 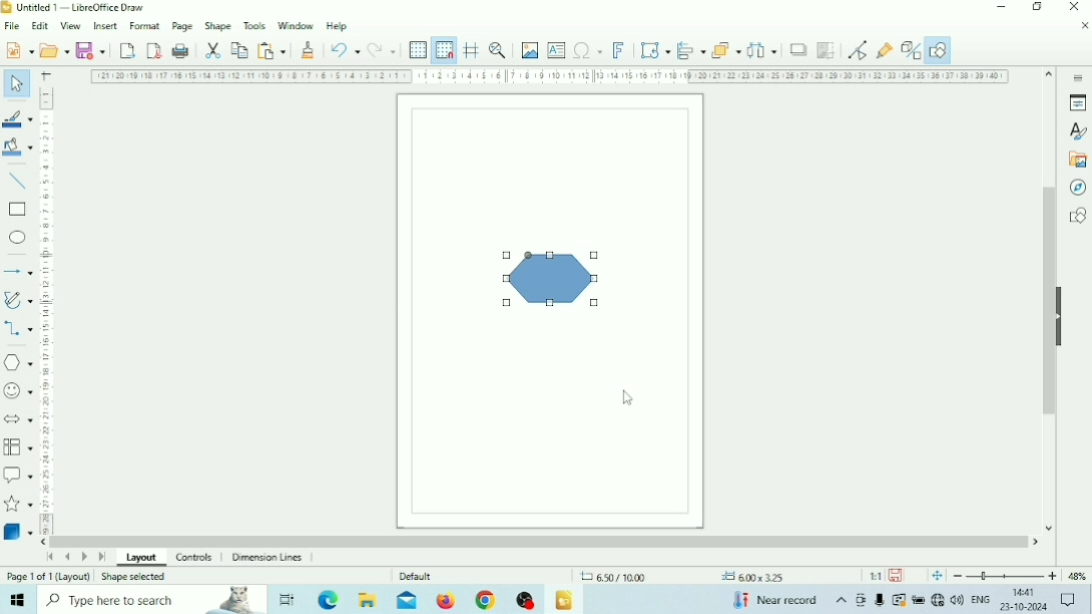 I want to click on Shape, so click(x=549, y=278).